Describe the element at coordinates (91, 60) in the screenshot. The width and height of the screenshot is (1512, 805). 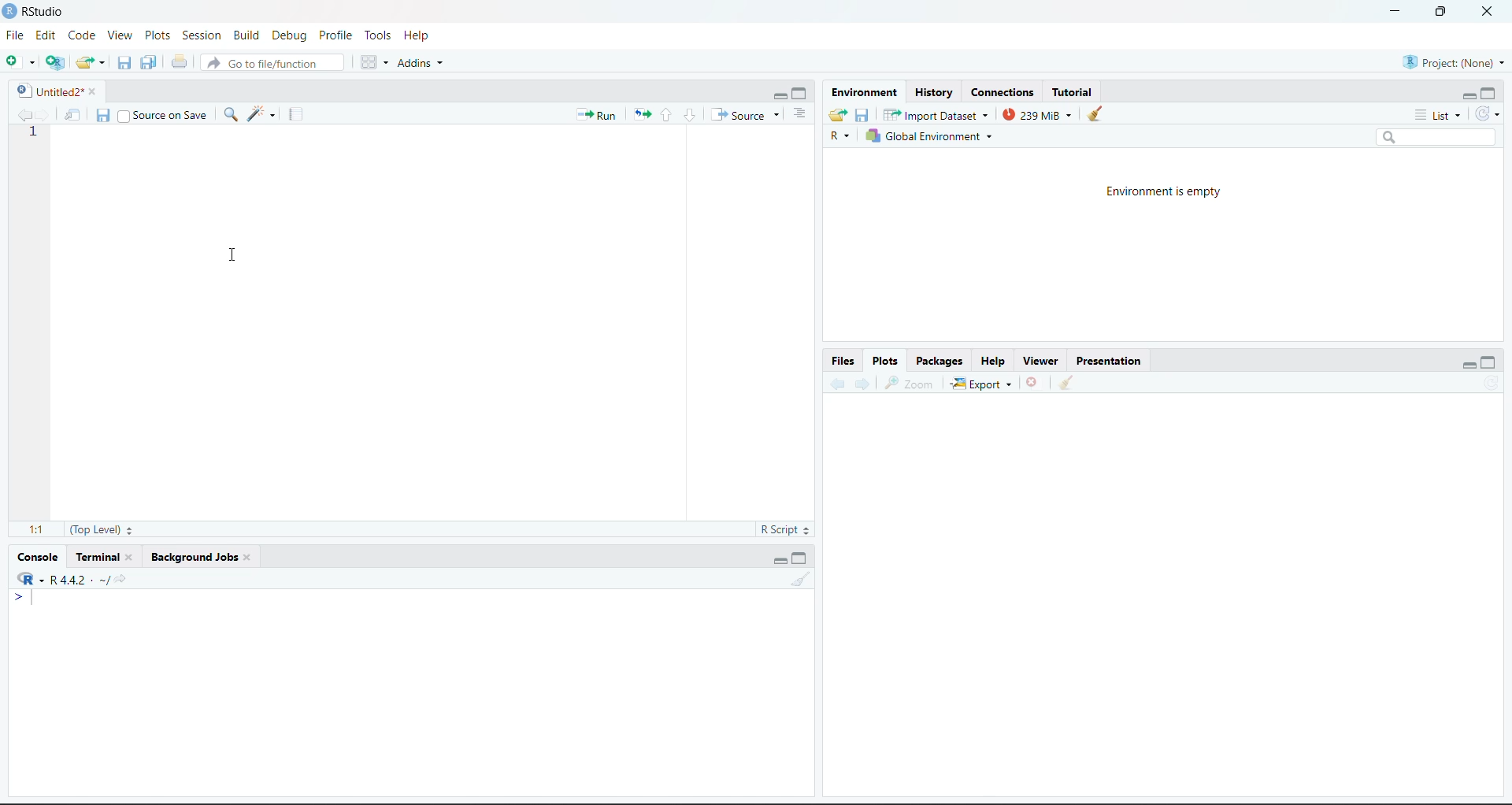
I see `Open an existing file (Ctrl + O)` at that location.